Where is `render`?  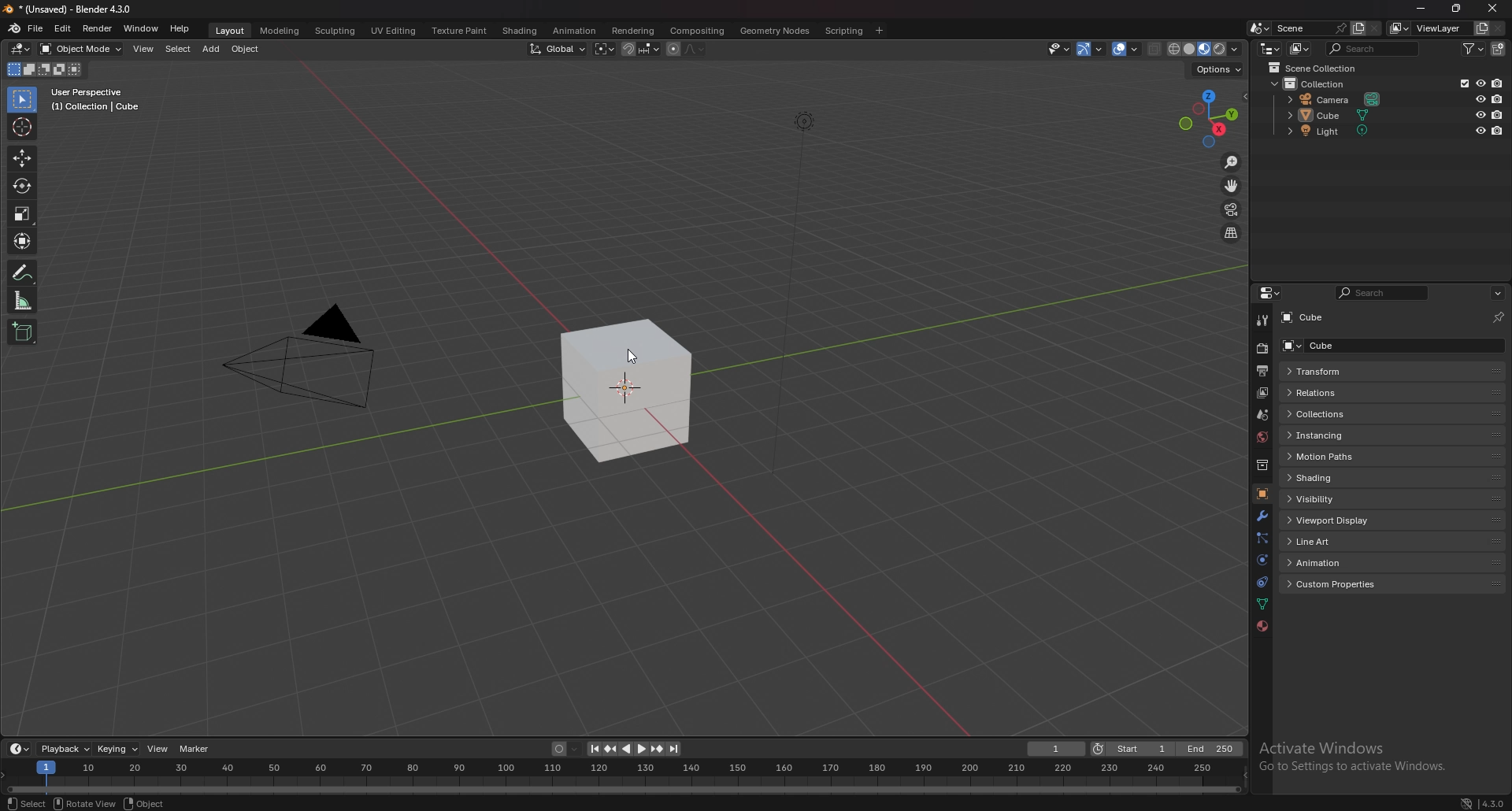
render is located at coordinates (1262, 348).